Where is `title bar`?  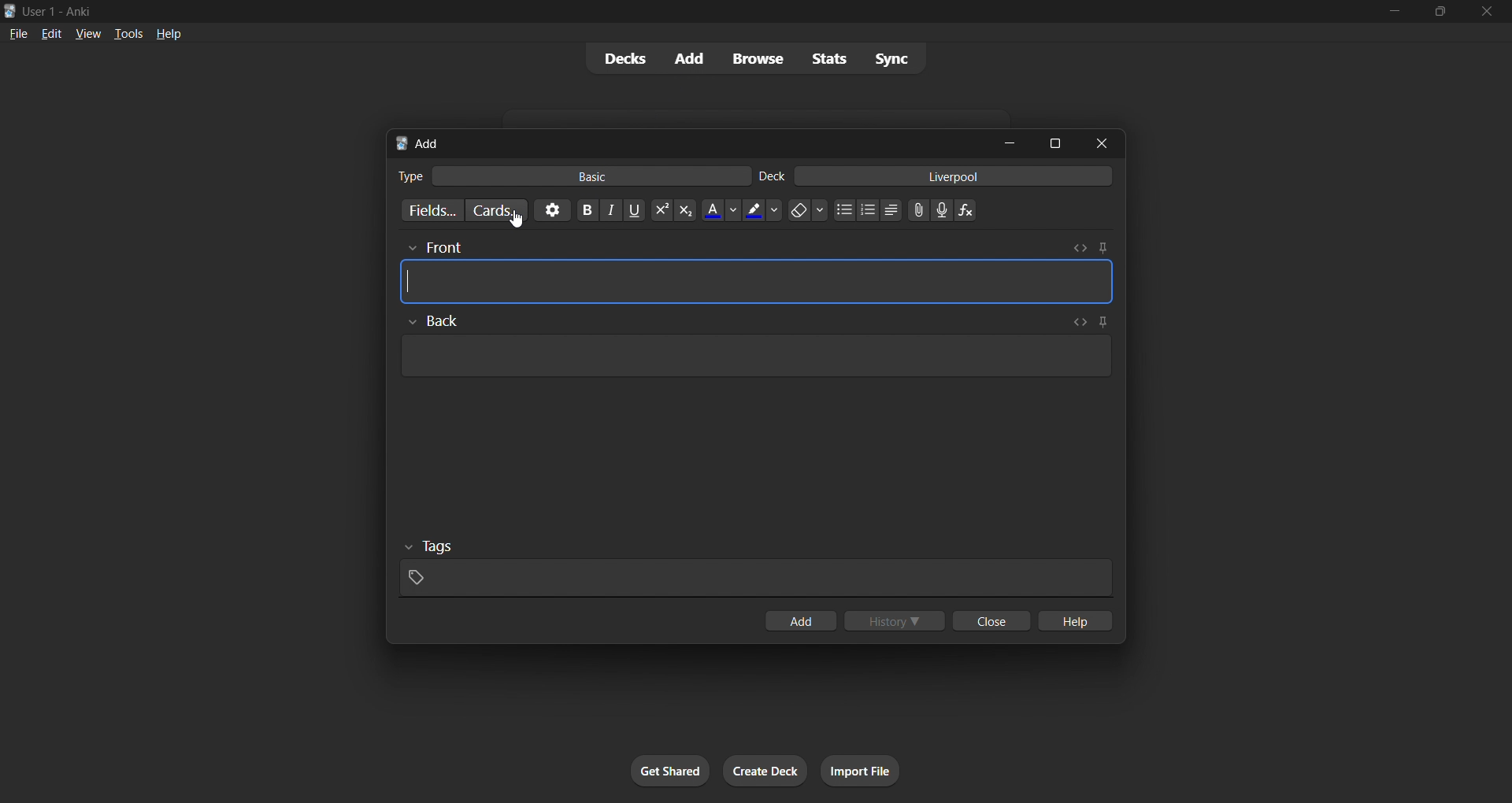 title bar is located at coordinates (661, 10).